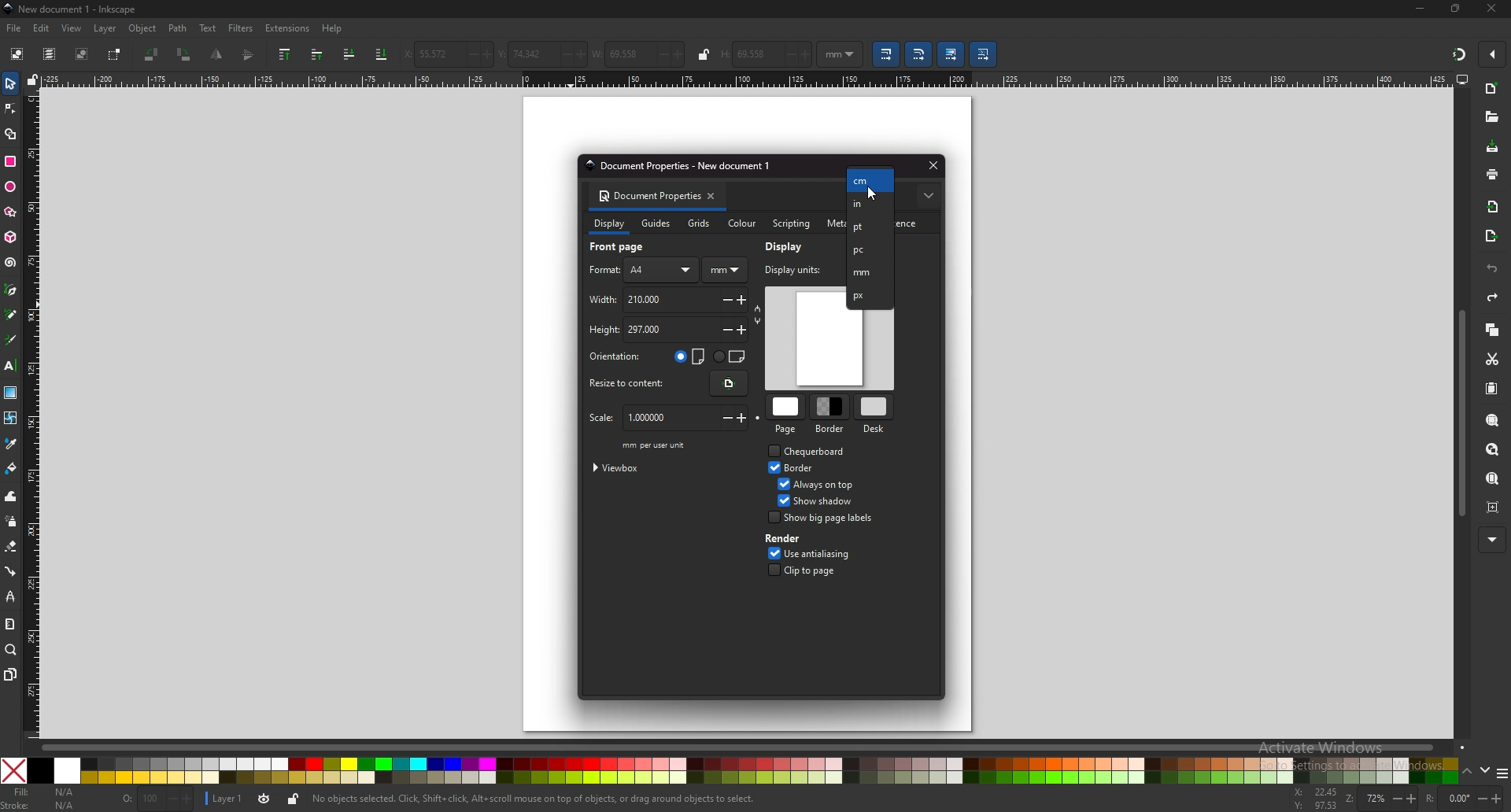  What do you see at coordinates (1391, 798) in the screenshot?
I see `-` at bounding box center [1391, 798].